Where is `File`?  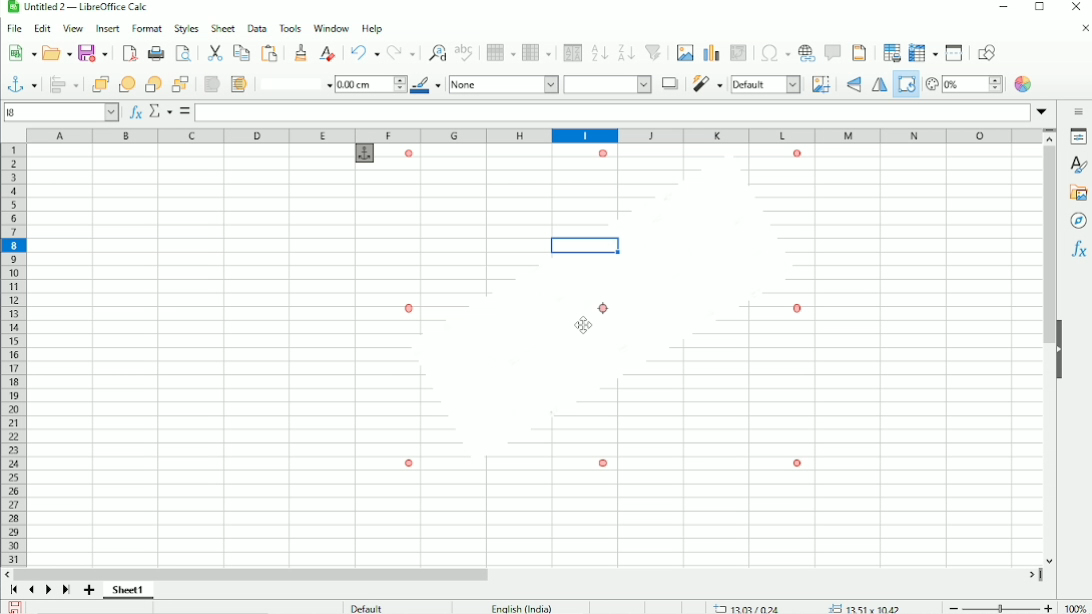
File is located at coordinates (16, 28).